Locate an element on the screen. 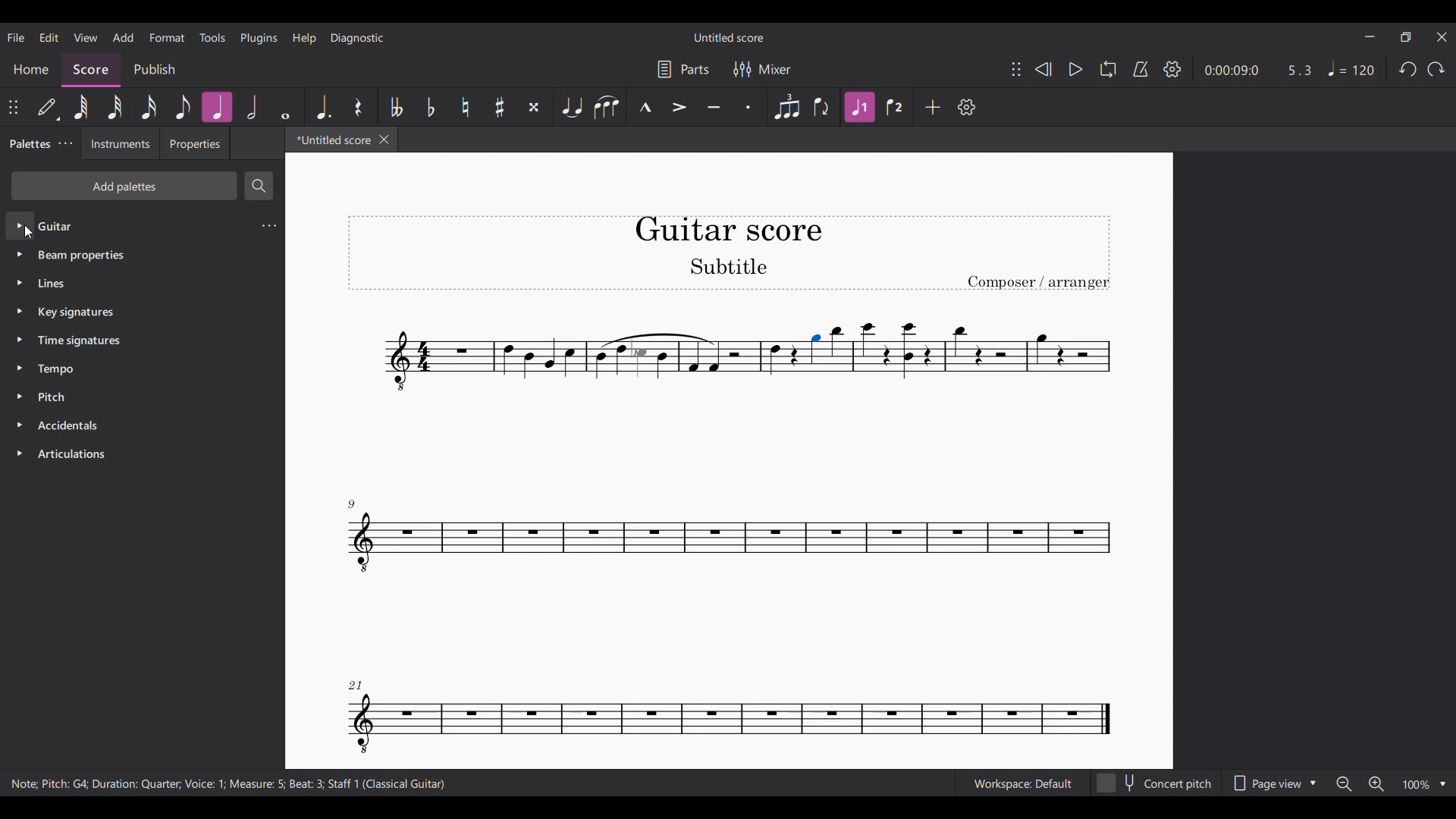  Format menu is located at coordinates (167, 37).